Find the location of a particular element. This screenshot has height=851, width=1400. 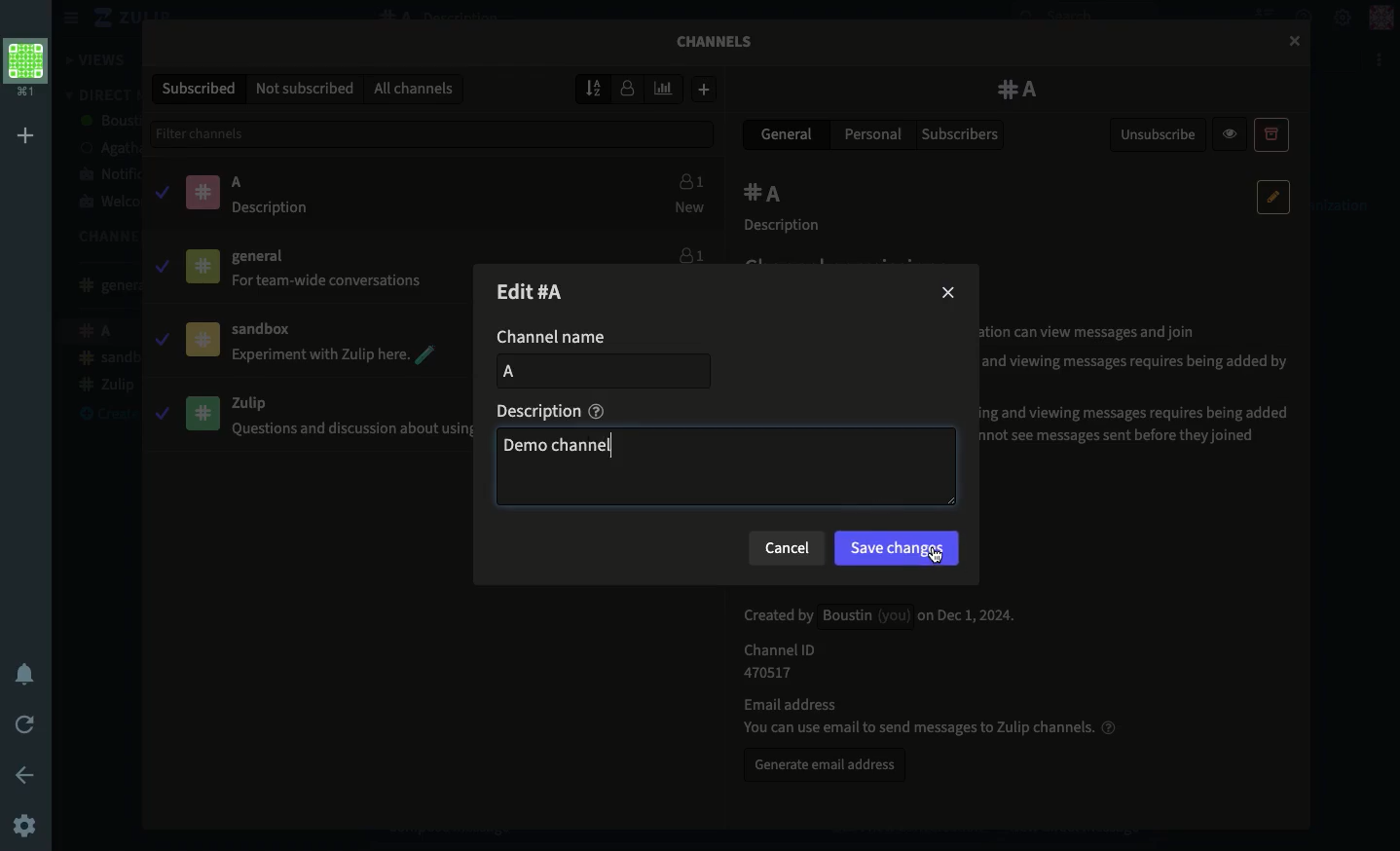

O Private, shared history: Joining and viewing messages requires being added by
a subscriber is located at coordinates (1141, 372).